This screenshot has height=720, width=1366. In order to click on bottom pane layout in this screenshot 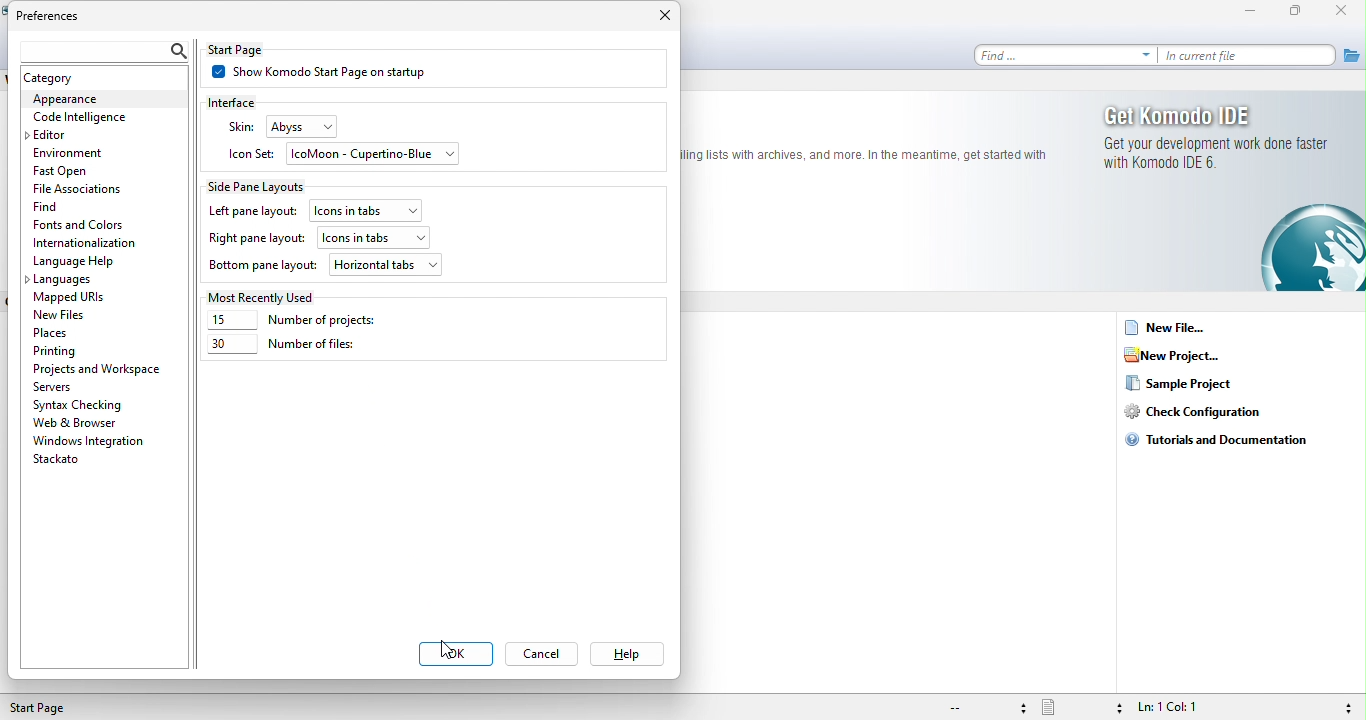, I will do `click(263, 267)`.